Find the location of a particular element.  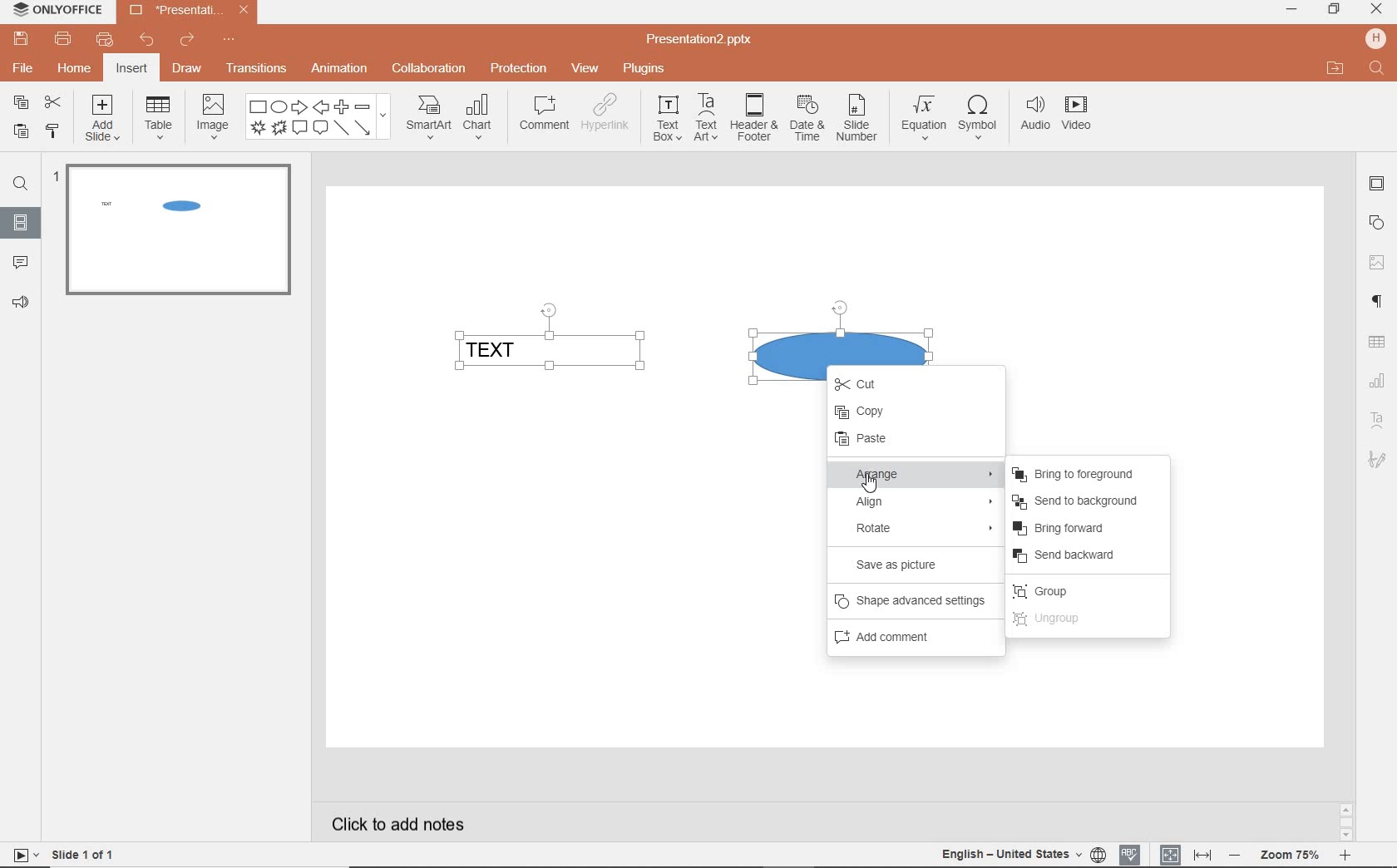

COMMENTS is located at coordinates (19, 259).